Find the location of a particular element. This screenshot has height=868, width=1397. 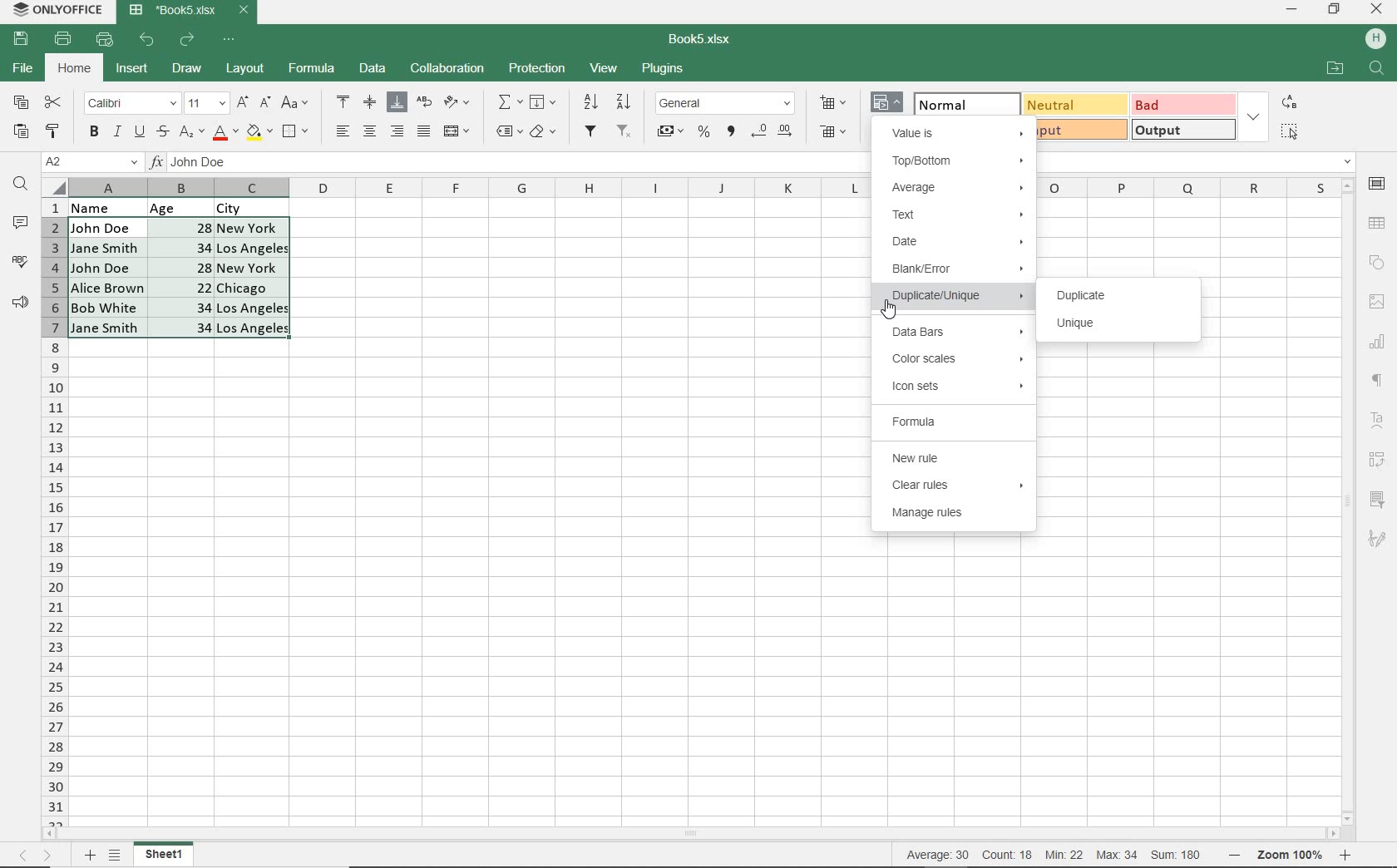

DATE is located at coordinates (956, 244).